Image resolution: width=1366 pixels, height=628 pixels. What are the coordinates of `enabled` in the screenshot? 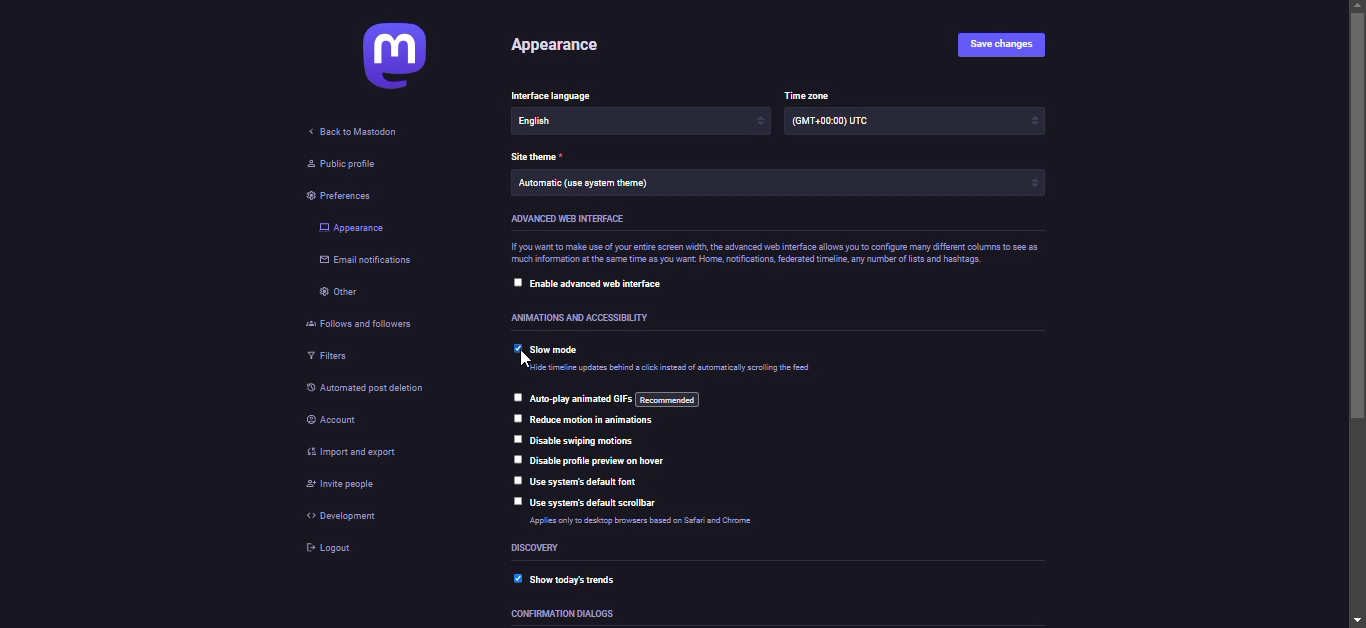 It's located at (514, 578).